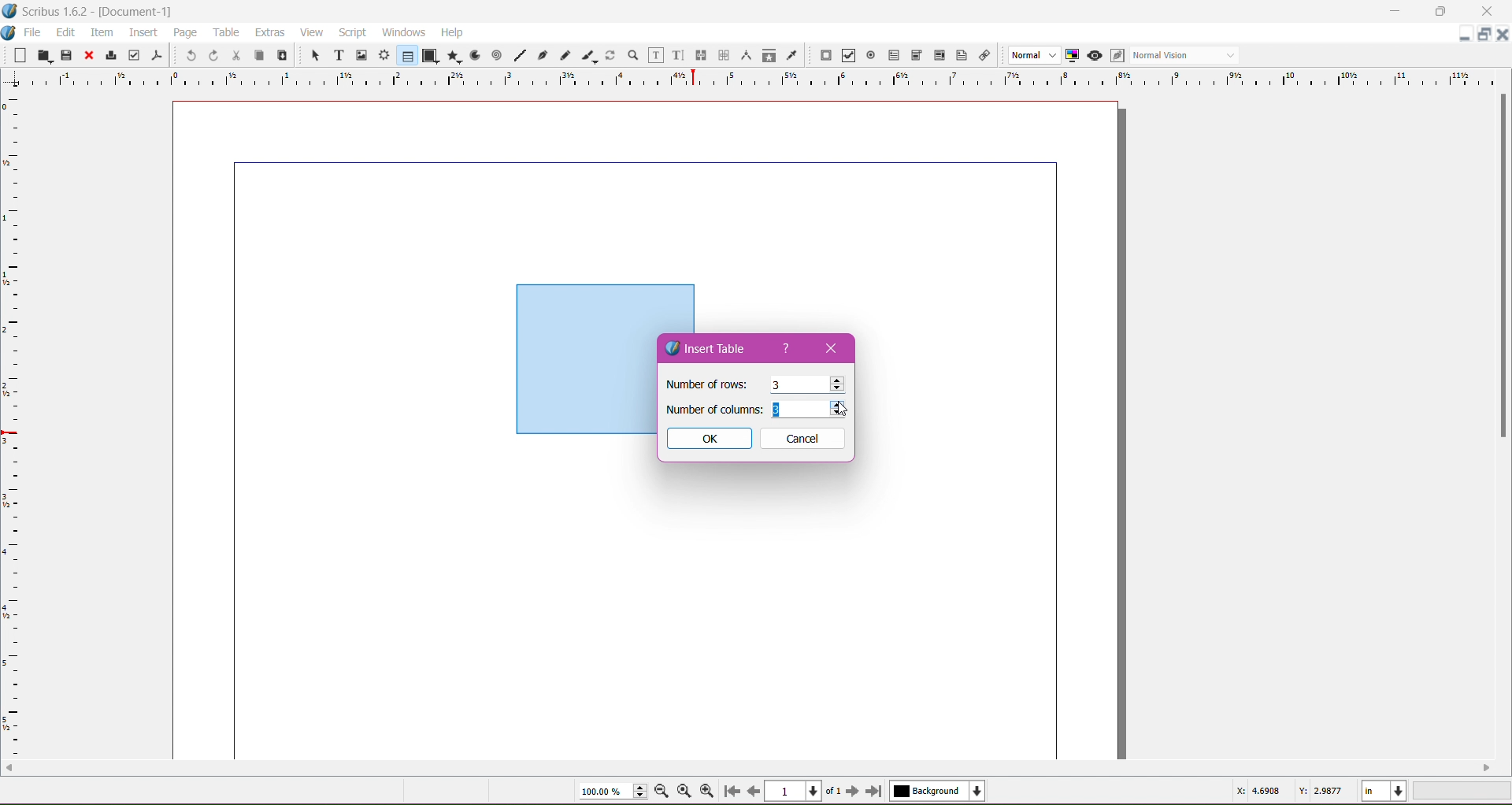 The image size is (1512, 805). What do you see at coordinates (495, 54) in the screenshot?
I see `Spiral` at bounding box center [495, 54].